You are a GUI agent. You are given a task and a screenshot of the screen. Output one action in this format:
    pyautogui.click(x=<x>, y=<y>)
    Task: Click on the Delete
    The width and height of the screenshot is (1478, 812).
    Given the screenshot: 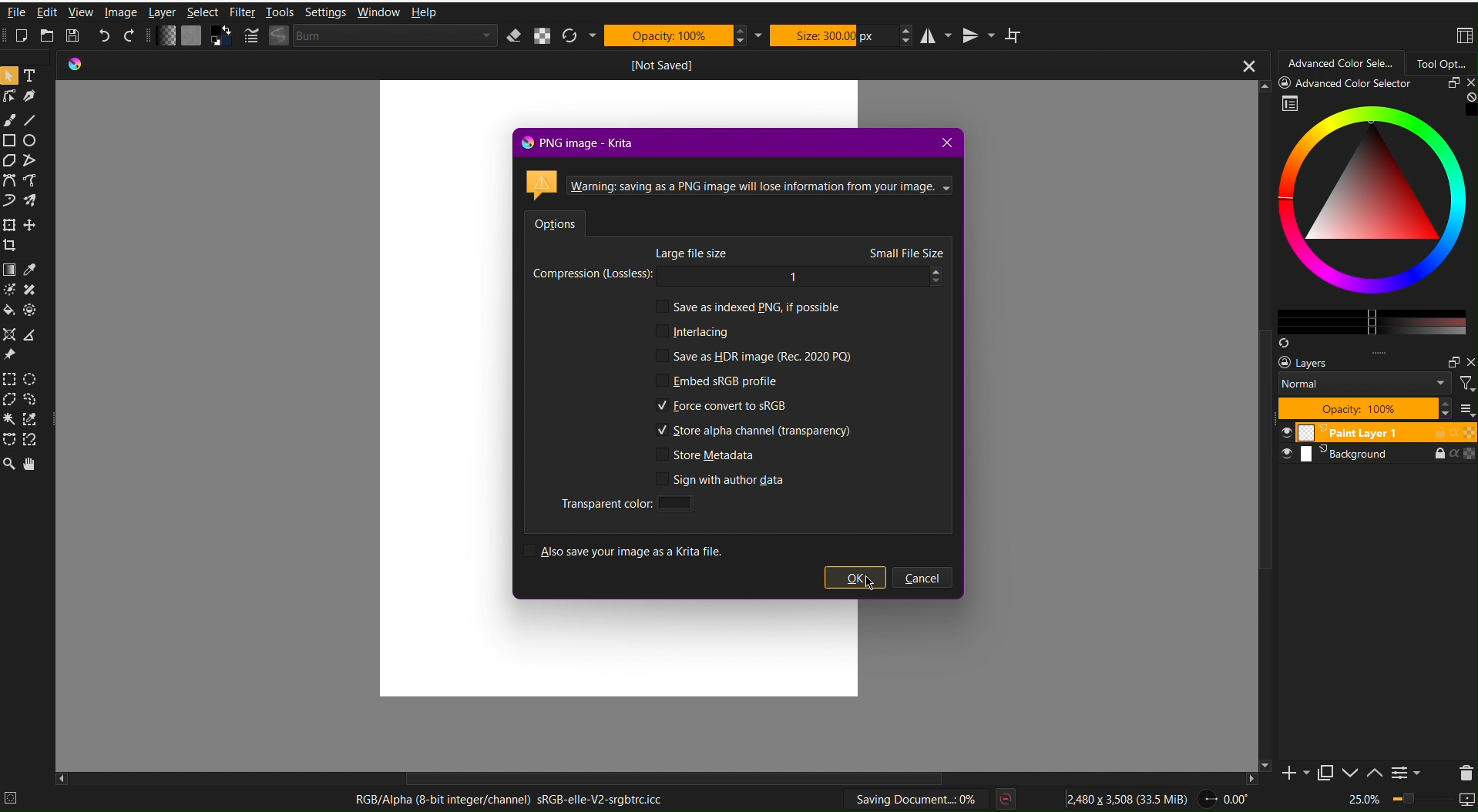 What is the action you would take?
    pyautogui.click(x=1463, y=771)
    